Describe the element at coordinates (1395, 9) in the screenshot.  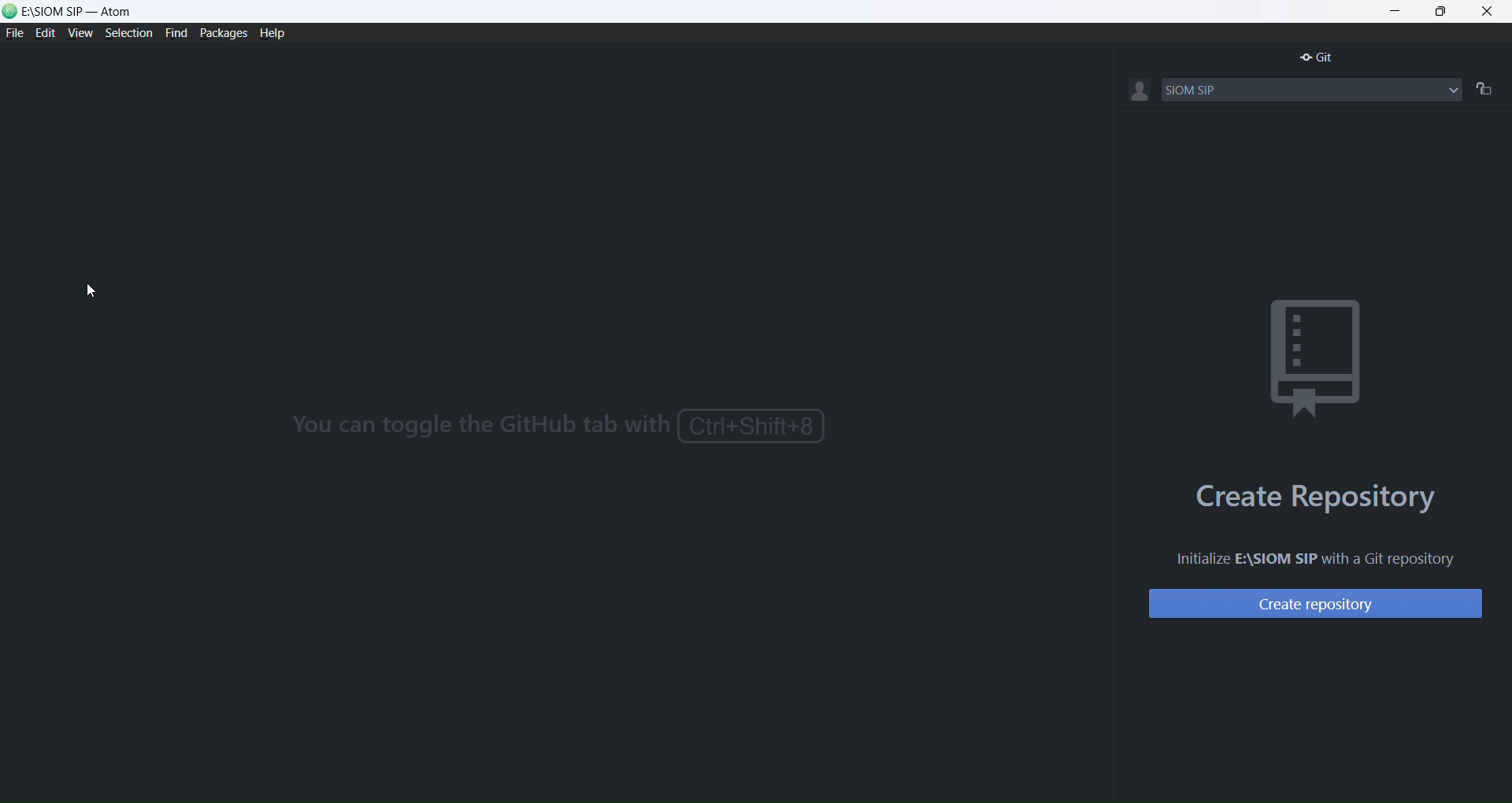
I see `minimize` at that location.